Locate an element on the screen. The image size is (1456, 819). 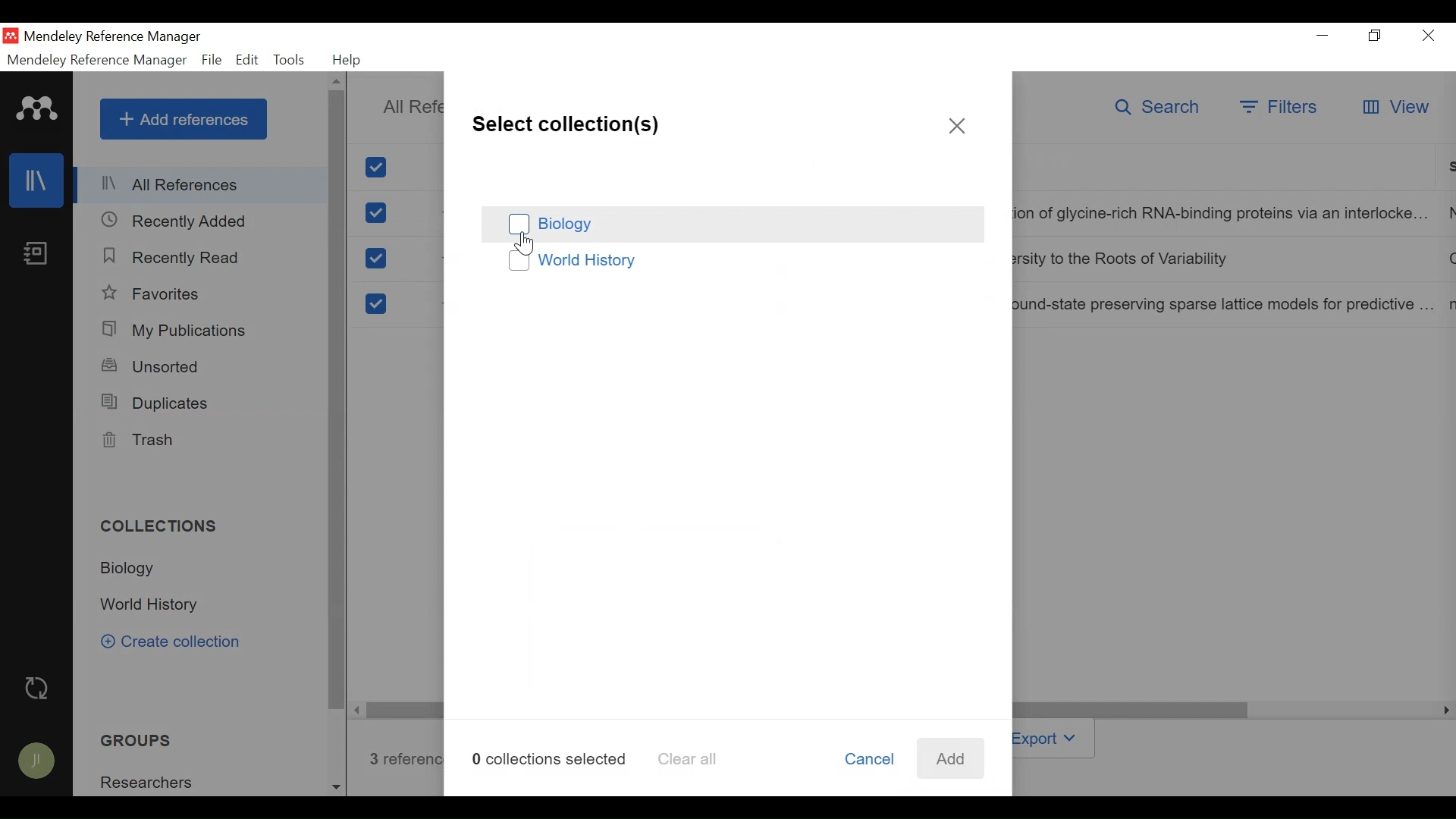
Filters is located at coordinates (1280, 108).